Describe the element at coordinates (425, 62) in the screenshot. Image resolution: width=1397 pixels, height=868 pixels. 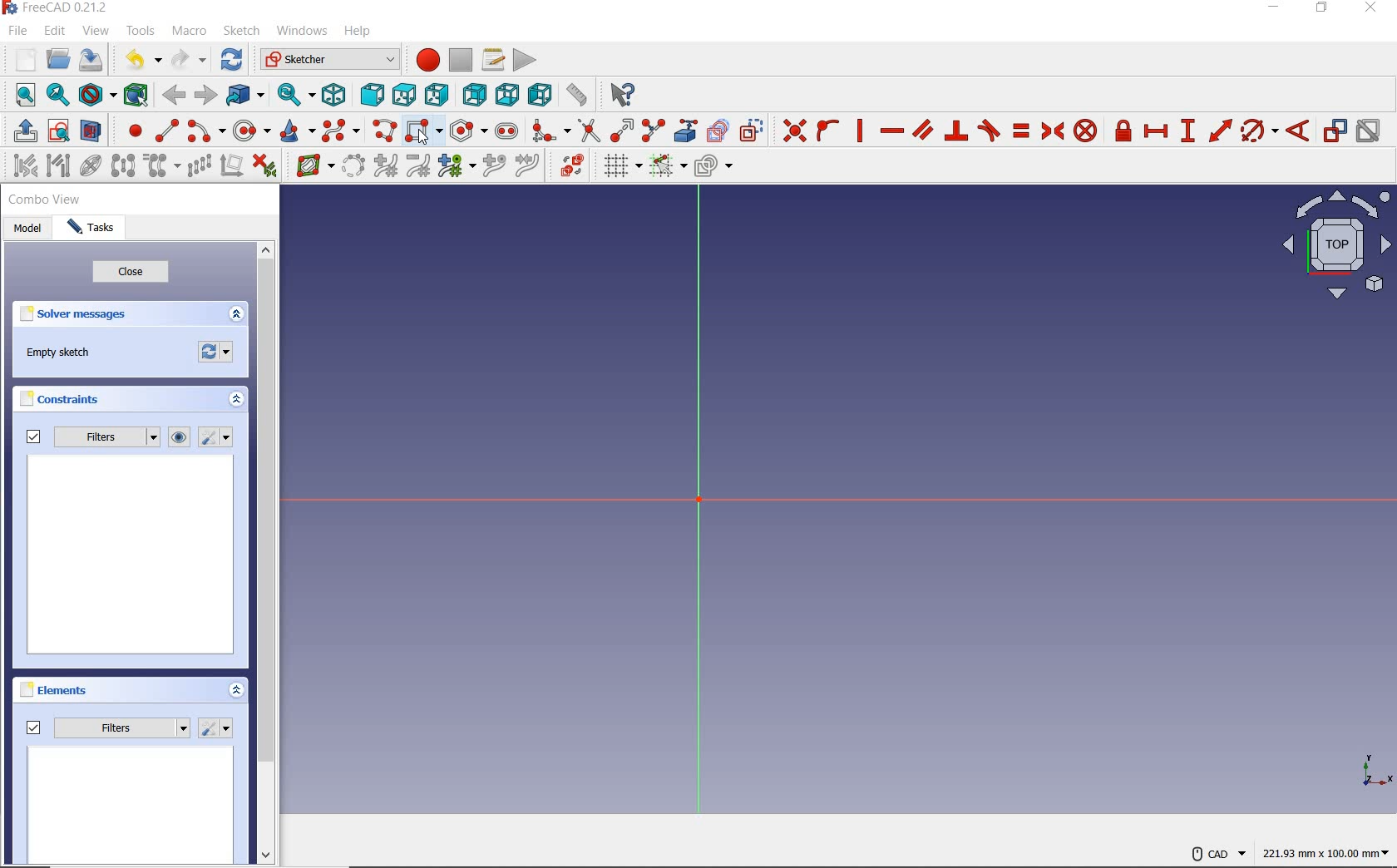
I see `macro recording` at that location.